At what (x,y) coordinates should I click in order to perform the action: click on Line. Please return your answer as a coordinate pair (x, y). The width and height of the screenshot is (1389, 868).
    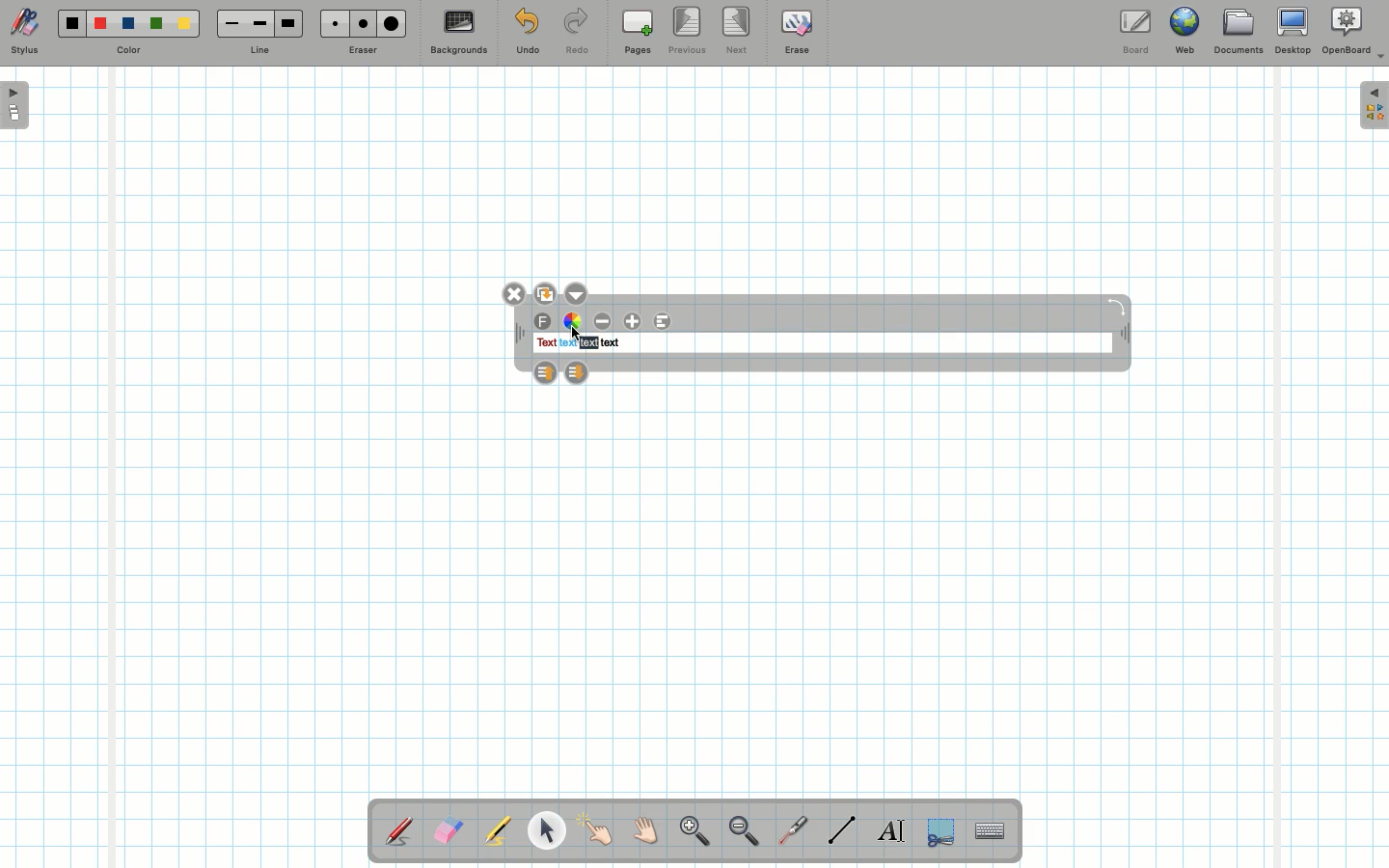
    Looking at the image, I should click on (842, 829).